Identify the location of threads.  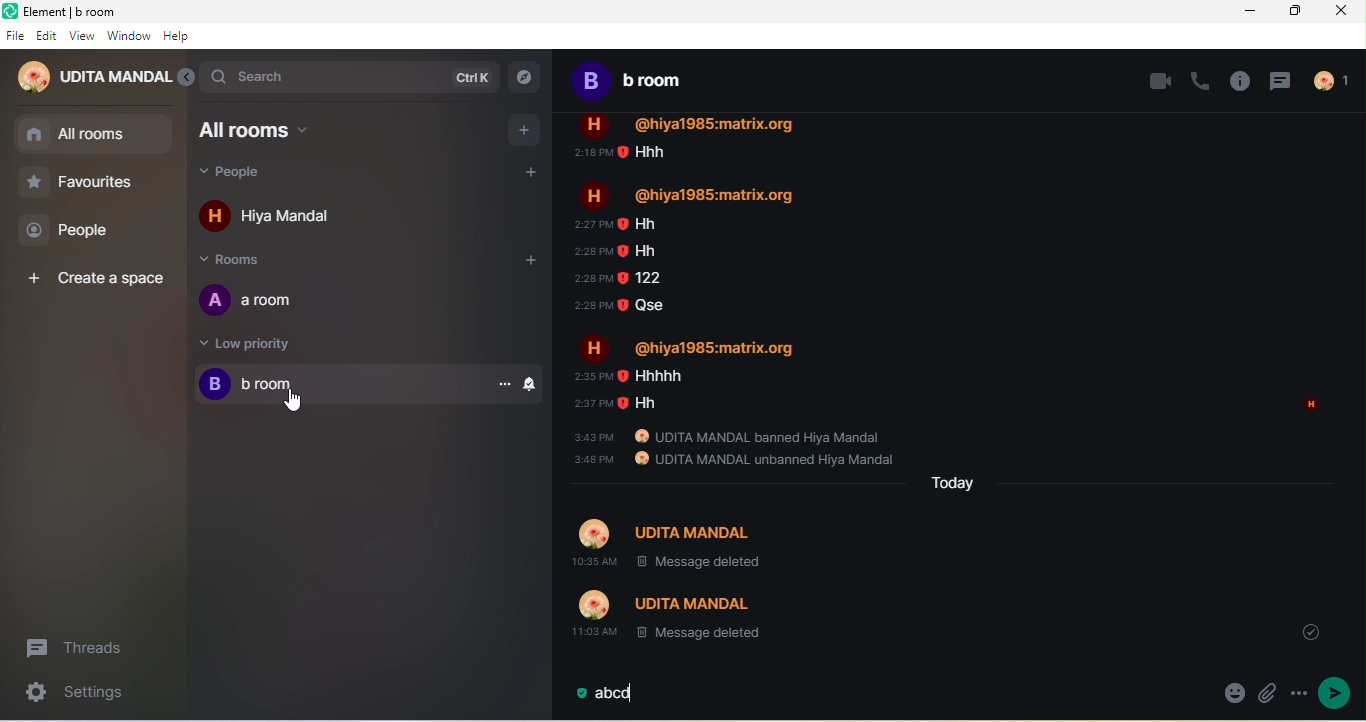
(88, 643).